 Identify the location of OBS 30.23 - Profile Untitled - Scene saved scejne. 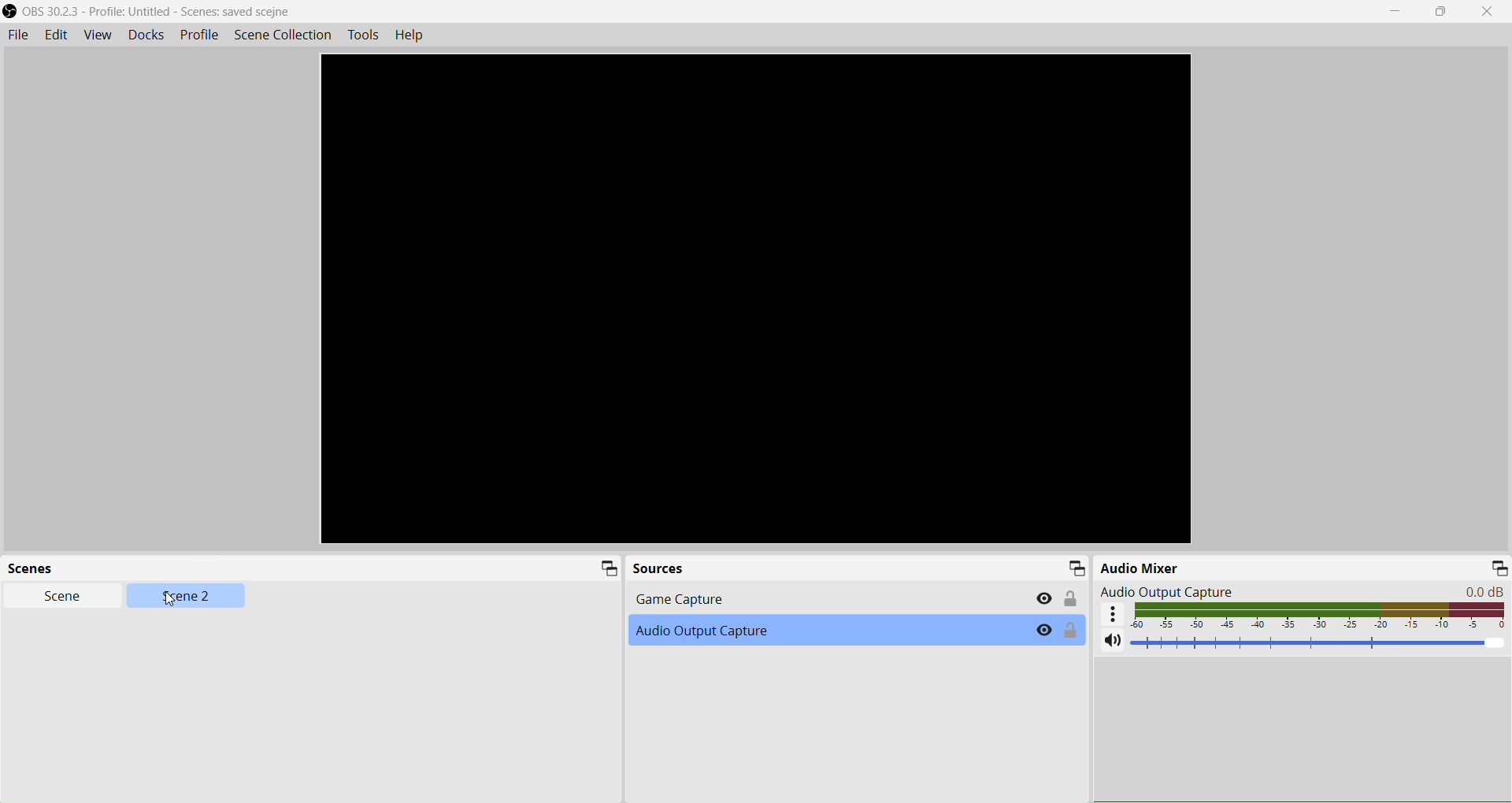
(150, 11).